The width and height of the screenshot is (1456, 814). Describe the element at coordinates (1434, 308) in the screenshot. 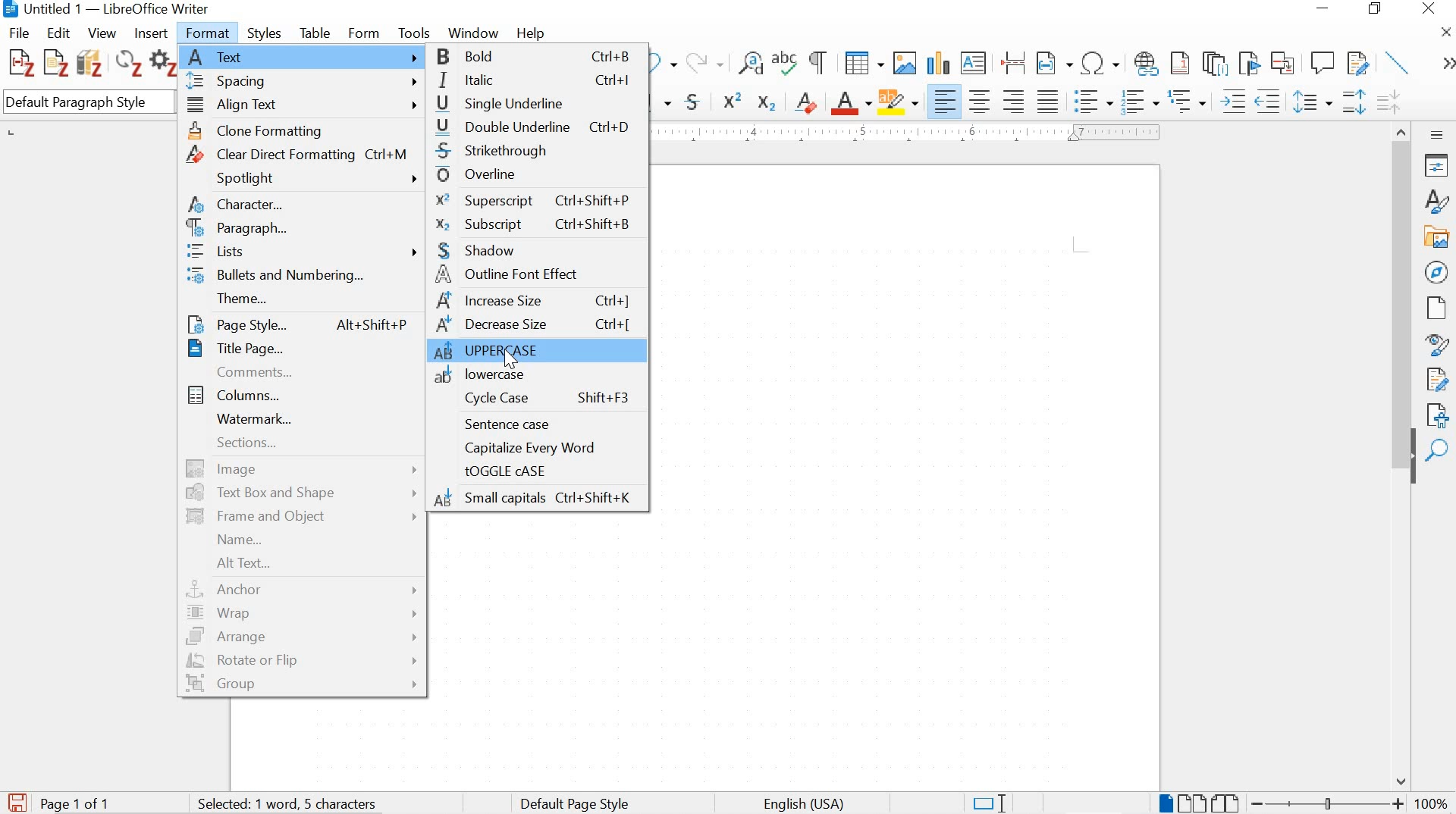

I see `page` at that location.